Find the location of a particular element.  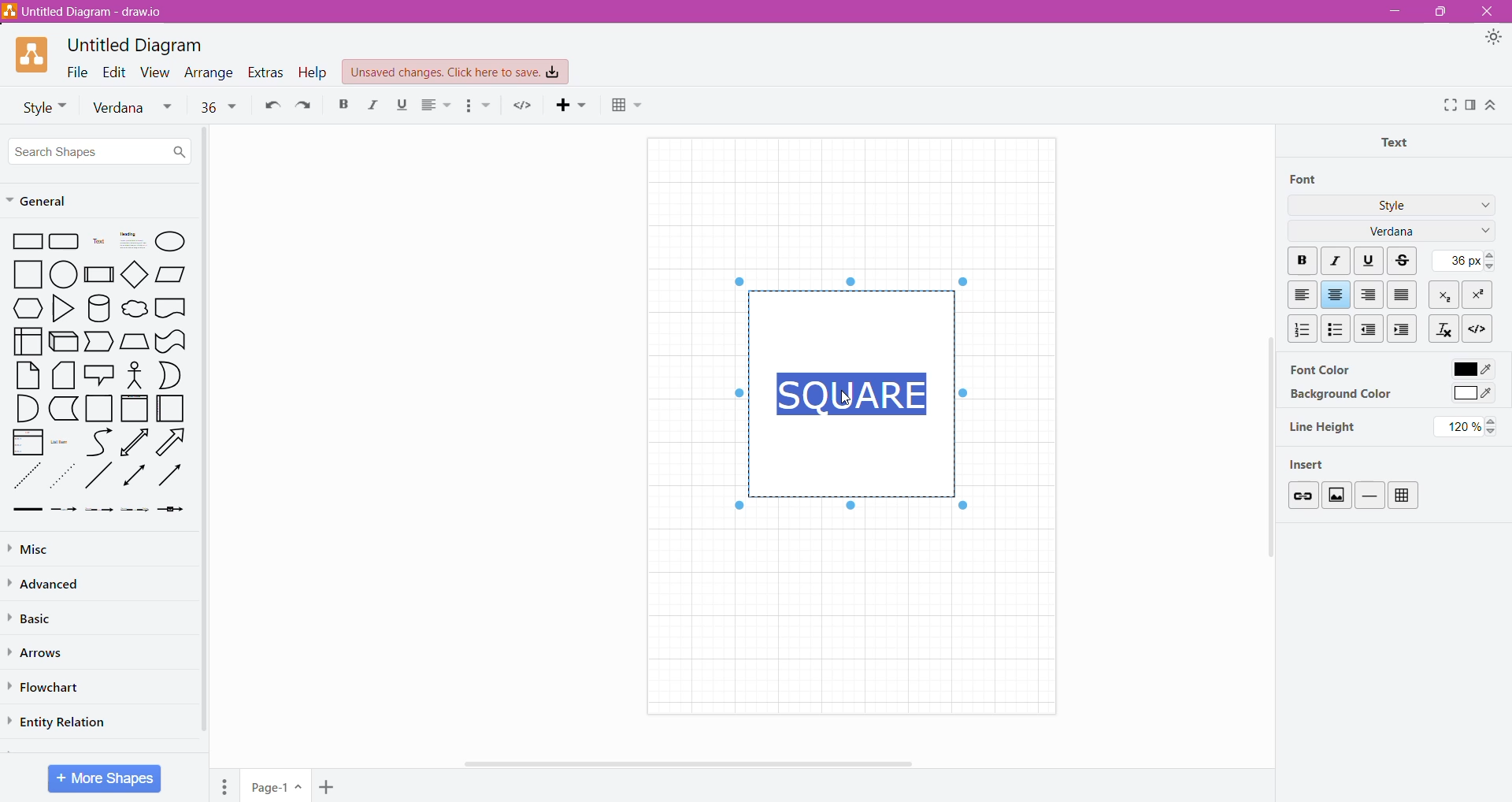

Curved Line is located at coordinates (98, 443).